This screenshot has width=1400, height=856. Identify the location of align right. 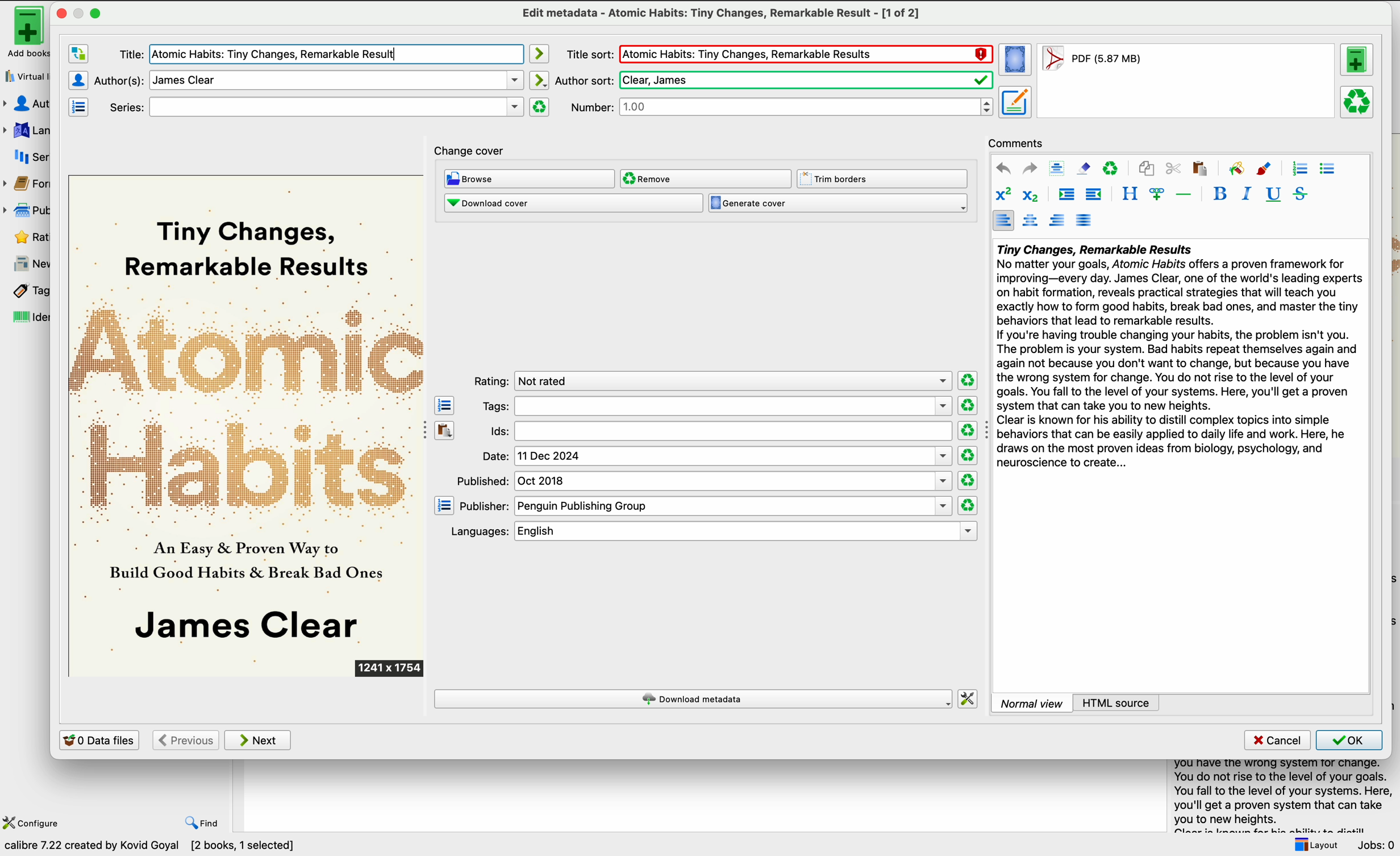
(1058, 220).